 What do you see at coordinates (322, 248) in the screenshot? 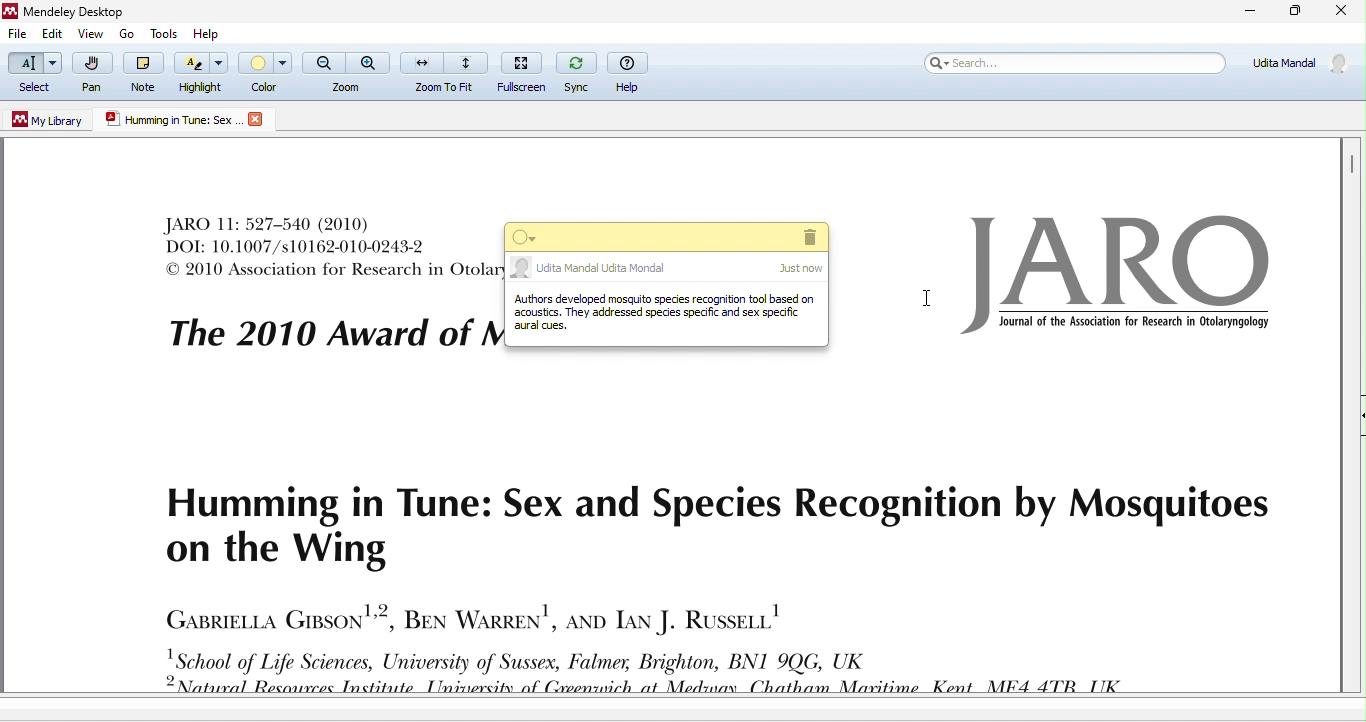
I see `Journal text` at bounding box center [322, 248].